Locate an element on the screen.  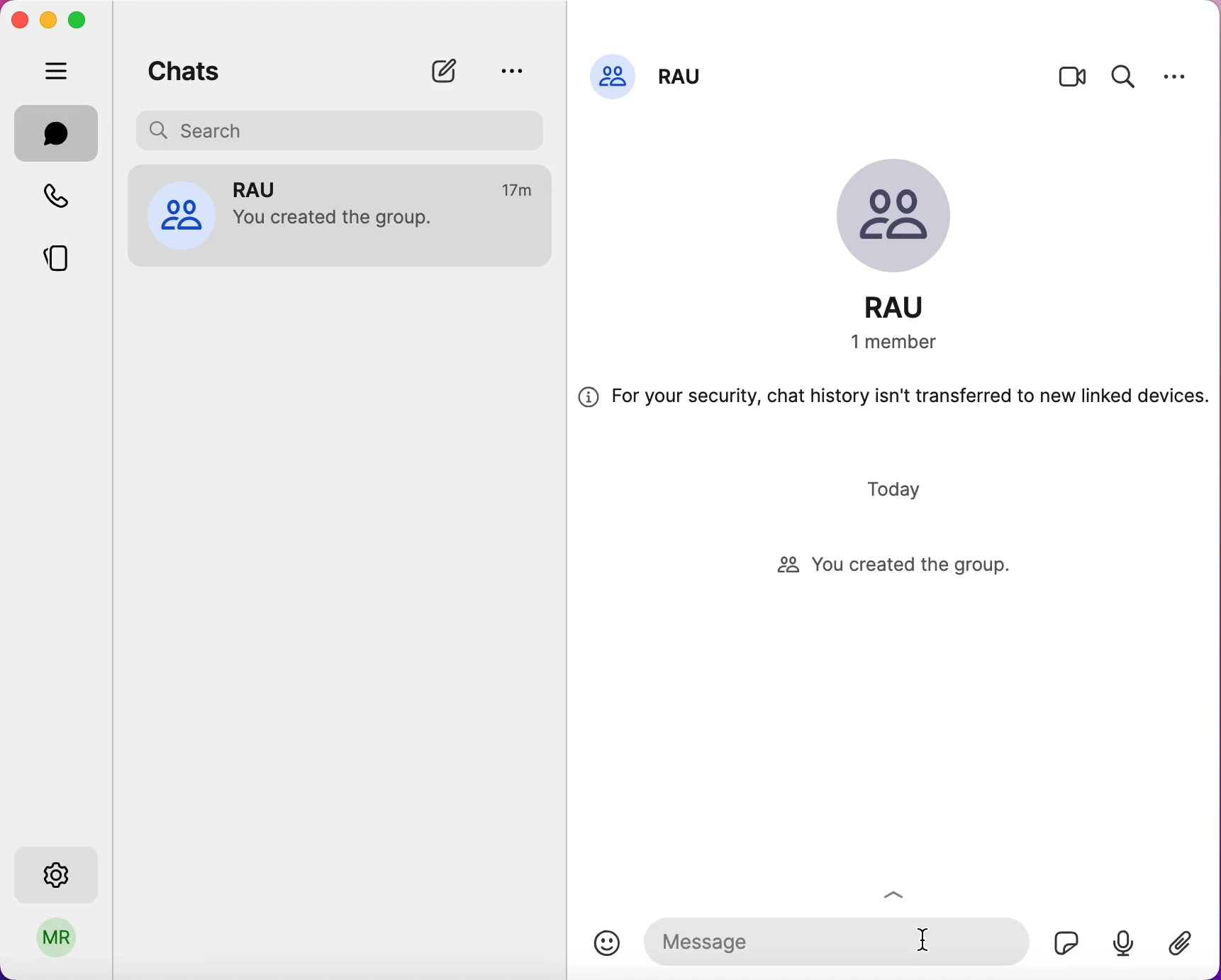
sticker is located at coordinates (1061, 939).